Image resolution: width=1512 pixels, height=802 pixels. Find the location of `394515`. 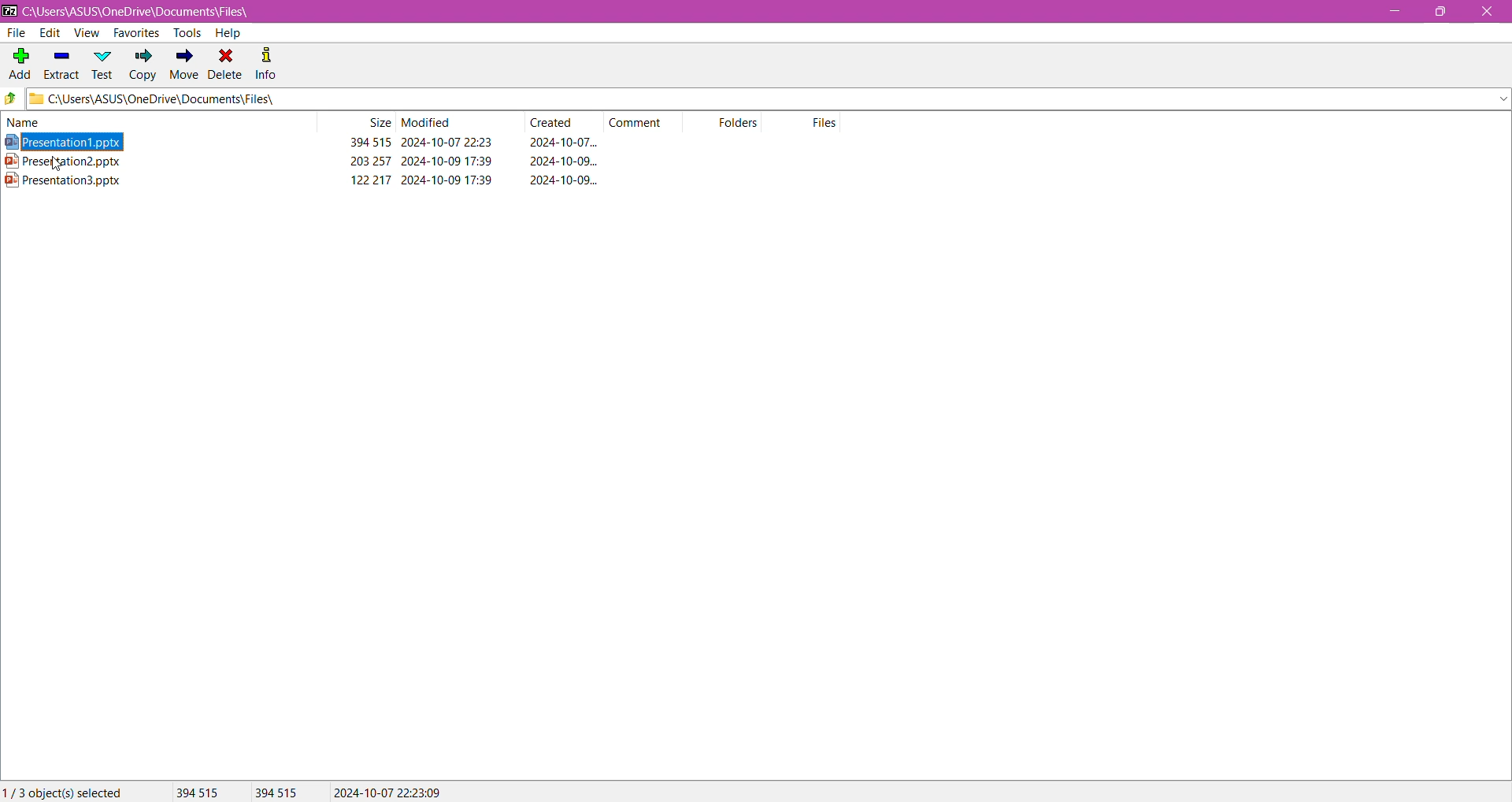

394515 is located at coordinates (196, 792).